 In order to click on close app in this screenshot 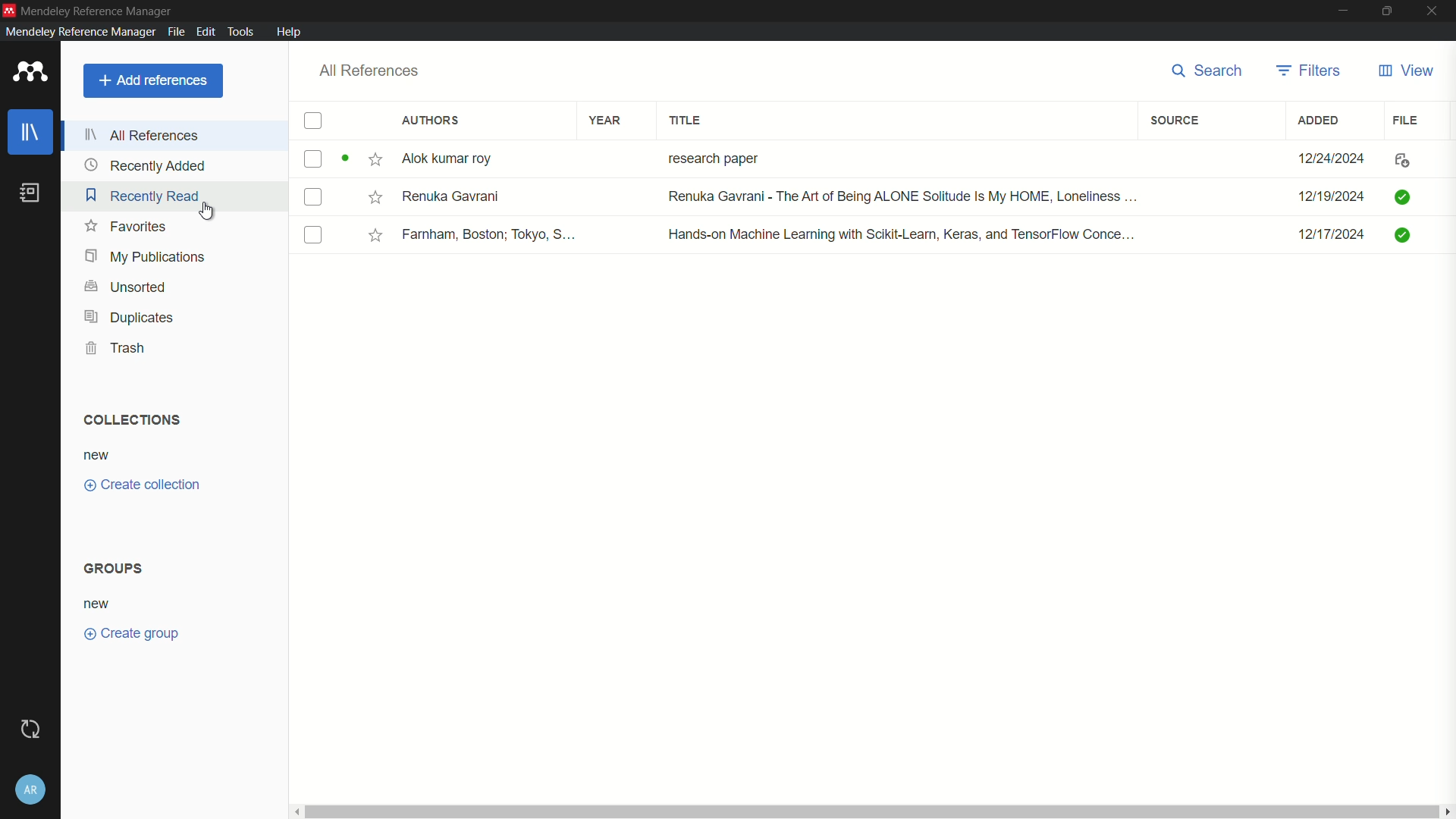, I will do `click(1432, 10)`.